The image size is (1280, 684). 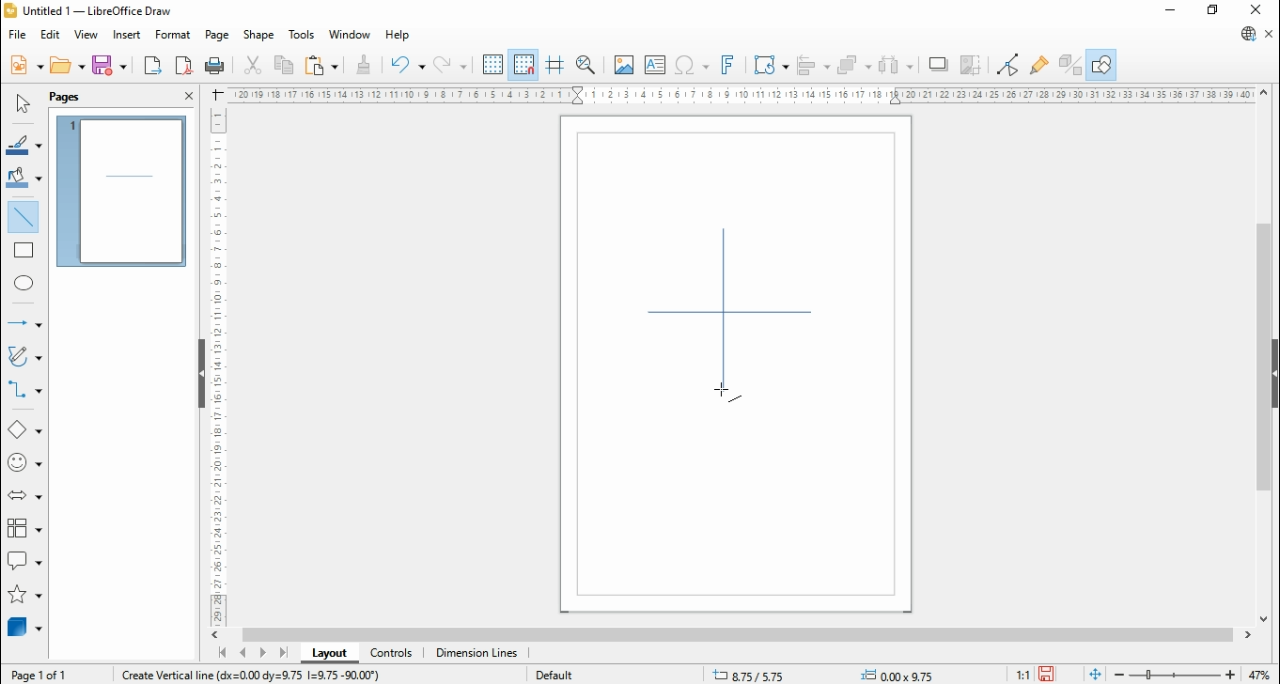 I want to click on clone formatting, so click(x=362, y=64).